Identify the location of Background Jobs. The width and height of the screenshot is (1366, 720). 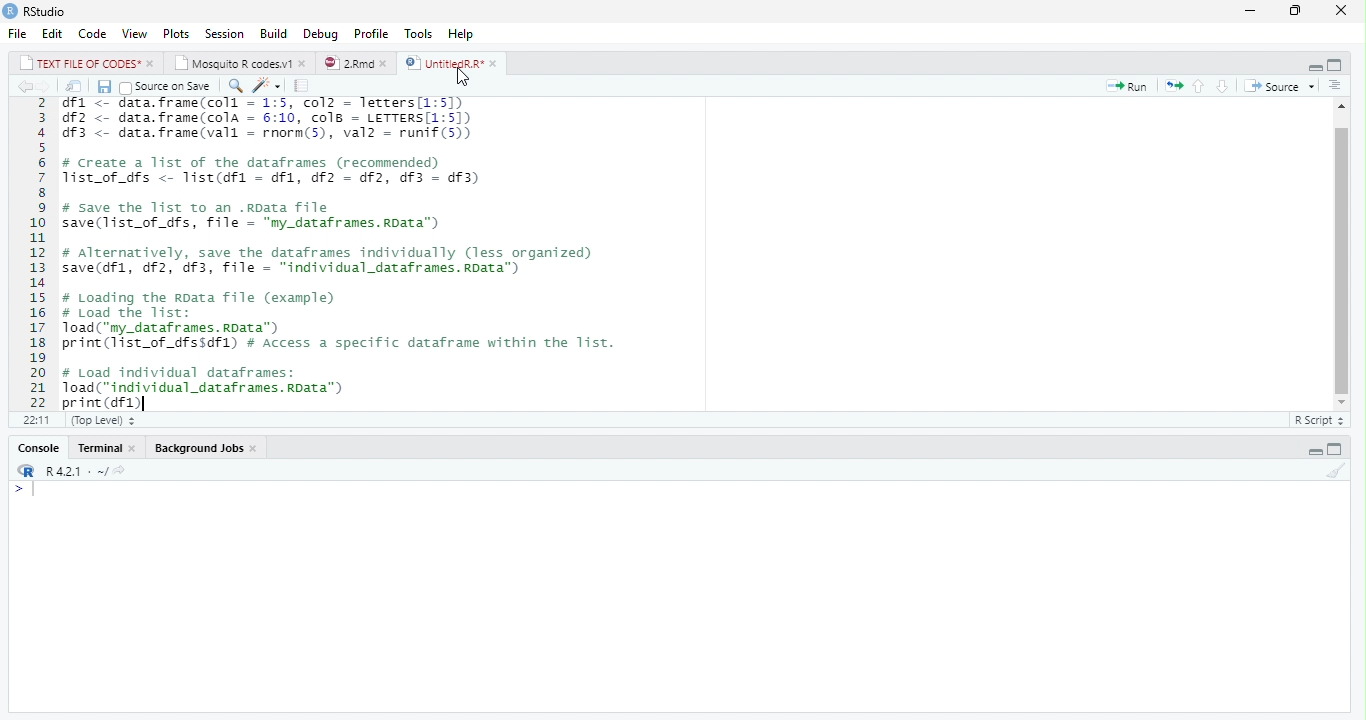
(202, 448).